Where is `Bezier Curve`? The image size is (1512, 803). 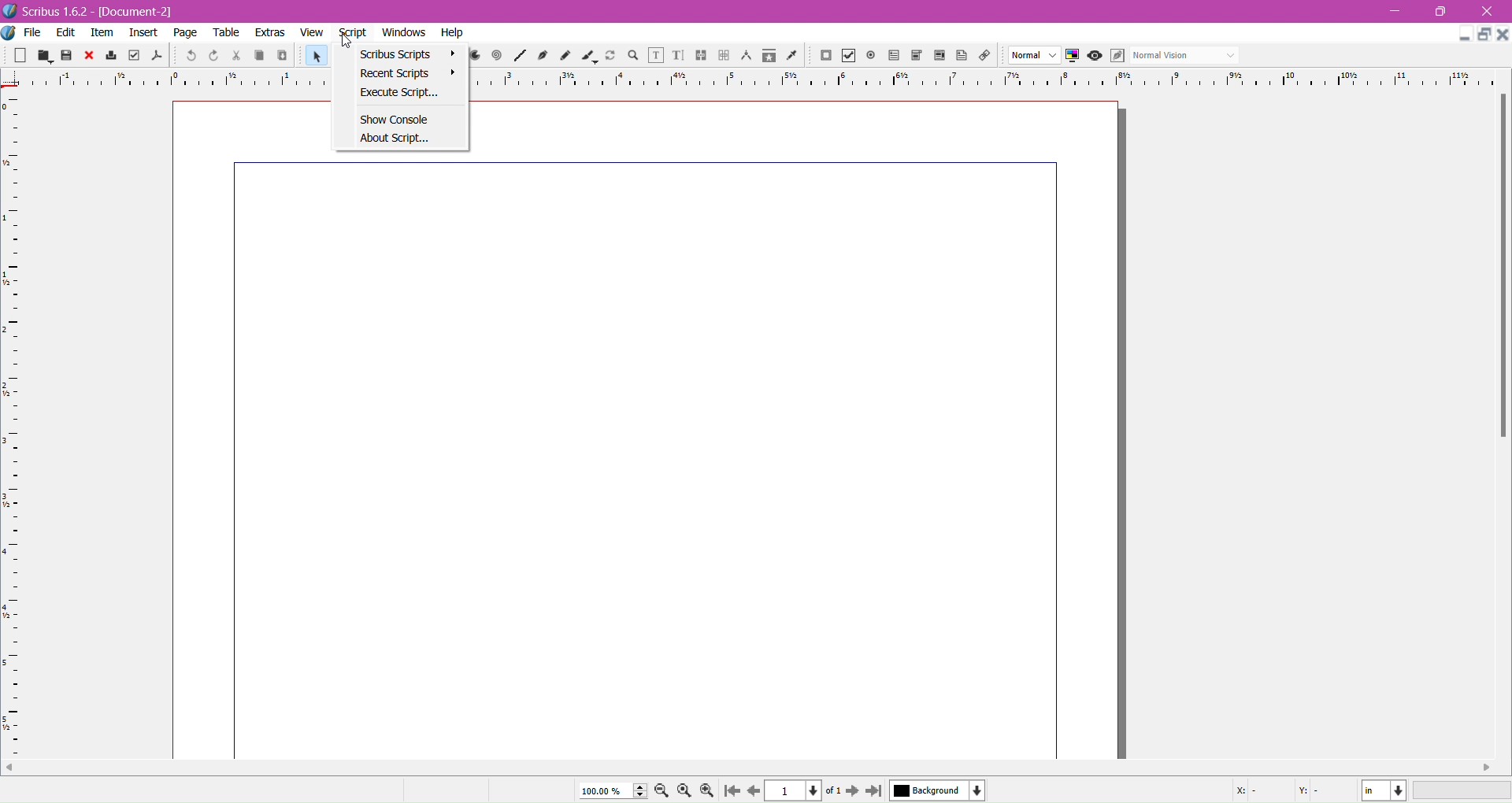
Bezier Curve is located at coordinates (543, 56).